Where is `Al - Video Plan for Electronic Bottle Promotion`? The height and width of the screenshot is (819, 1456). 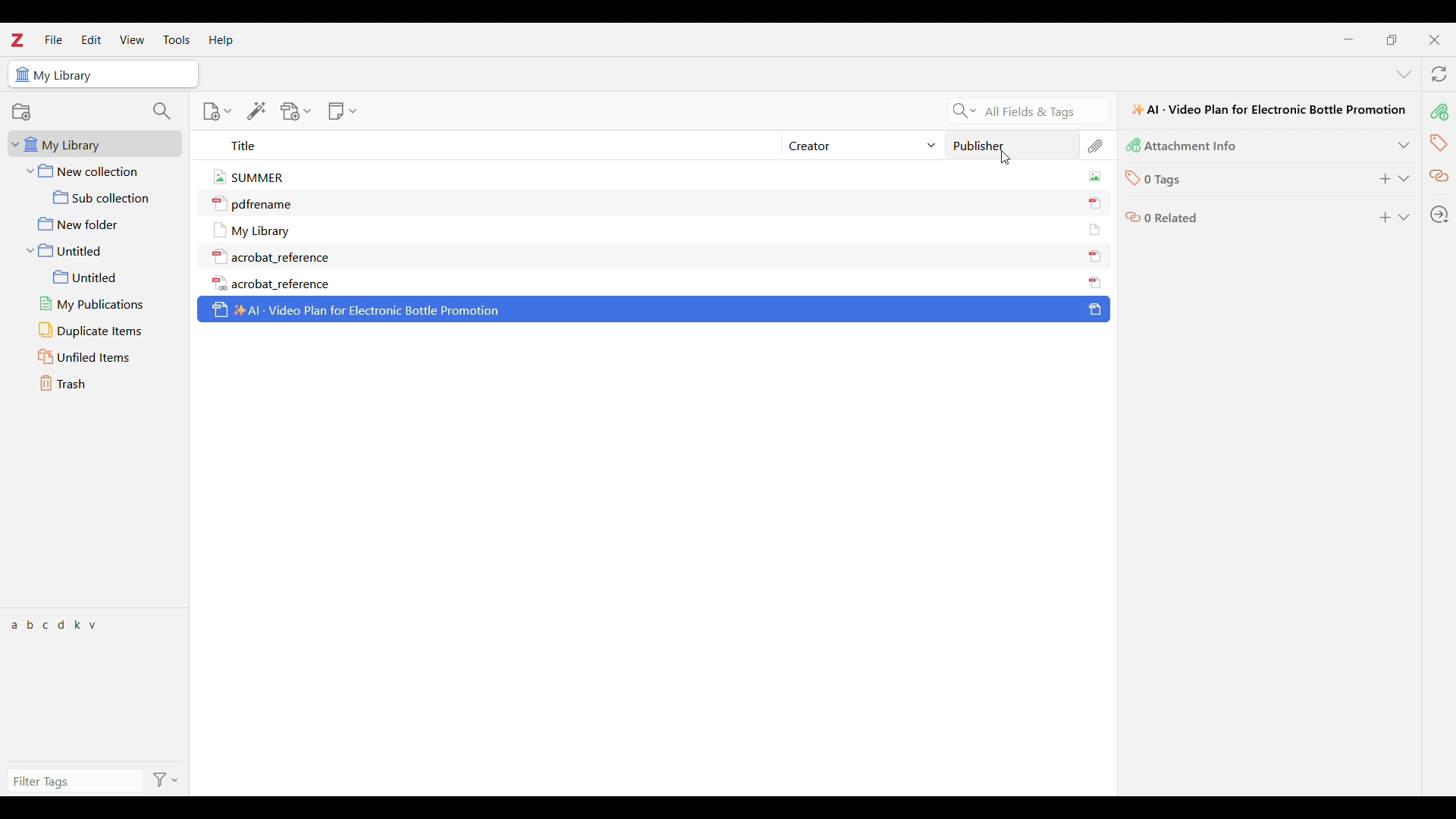 Al - Video Plan for Electronic Bottle Promotion is located at coordinates (357, 310).